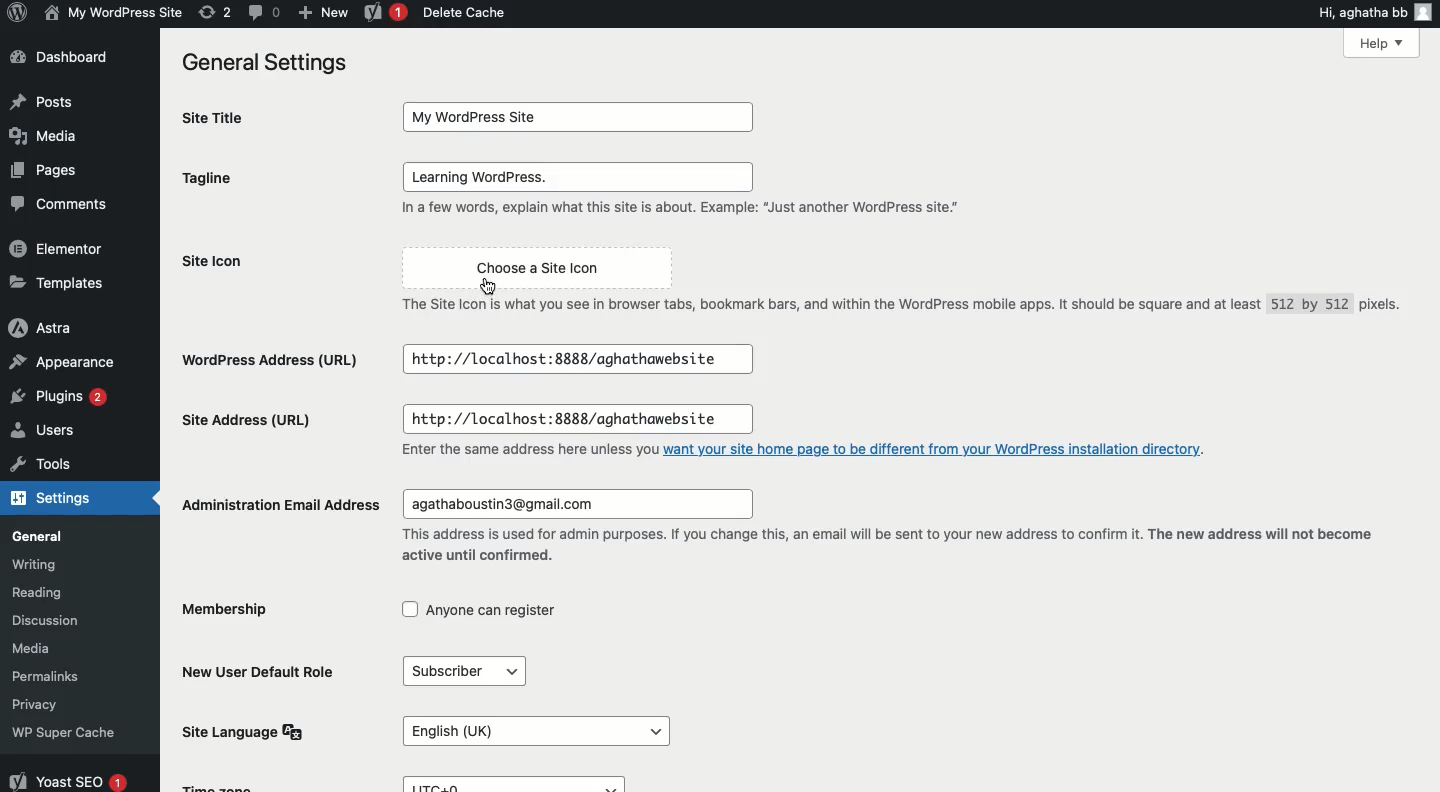  What do you see at coordinates (60, 433) in the screenshot?
I see `Users` at bounding box center [60, 433].